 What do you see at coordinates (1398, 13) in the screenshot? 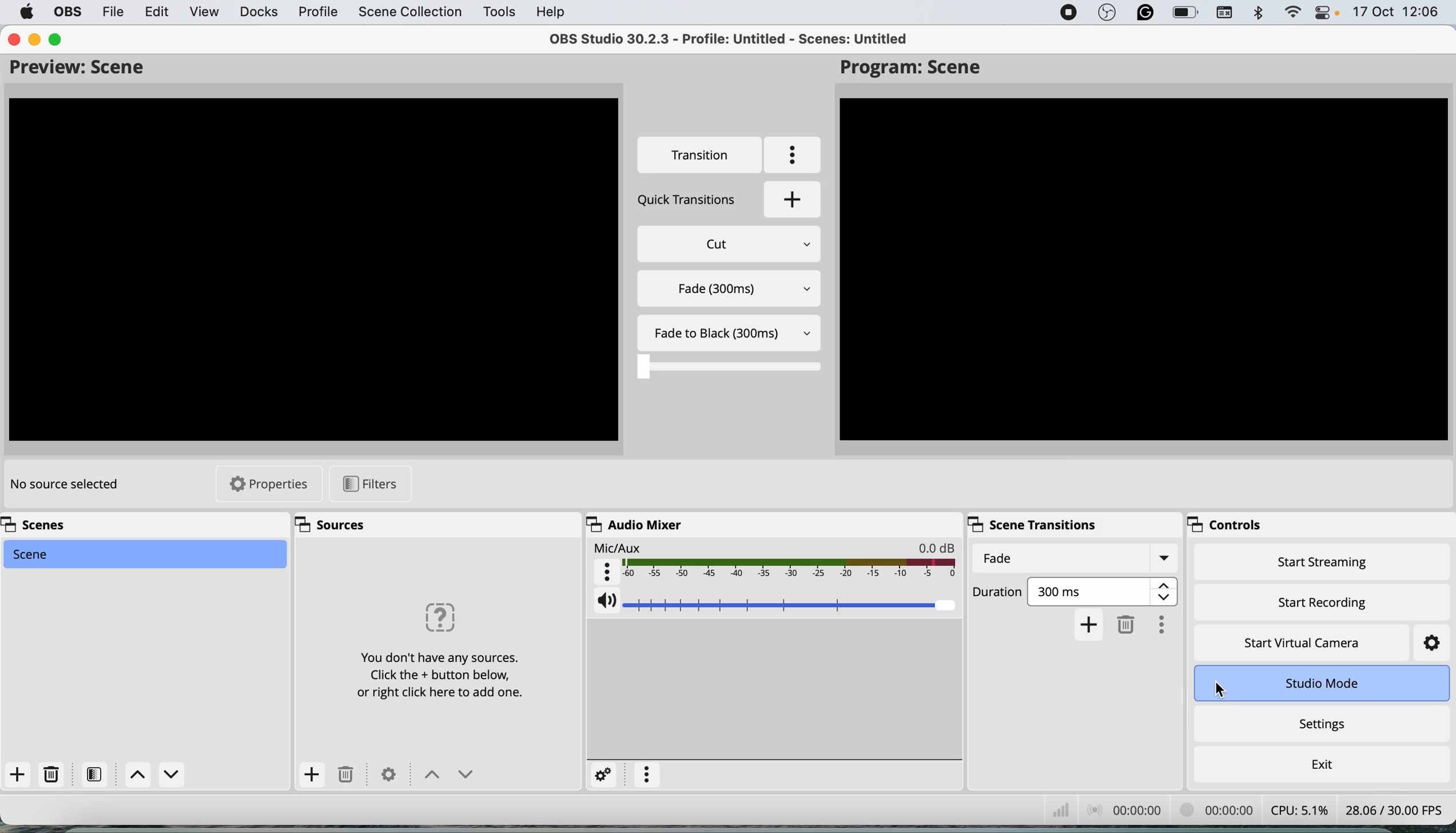
I see `date and time` at bounding box center [1398, 13].